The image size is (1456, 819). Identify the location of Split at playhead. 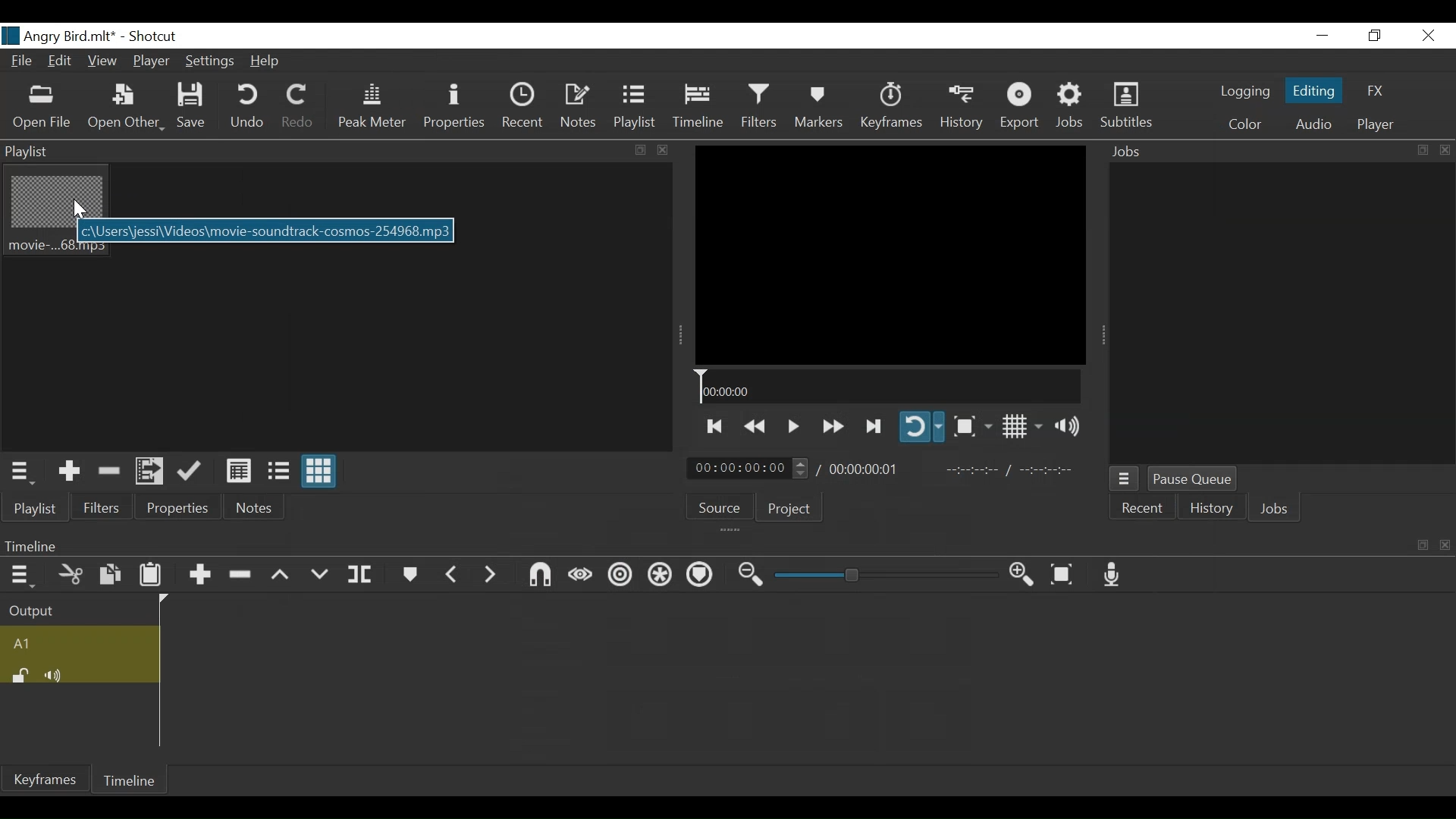
(361, 573).